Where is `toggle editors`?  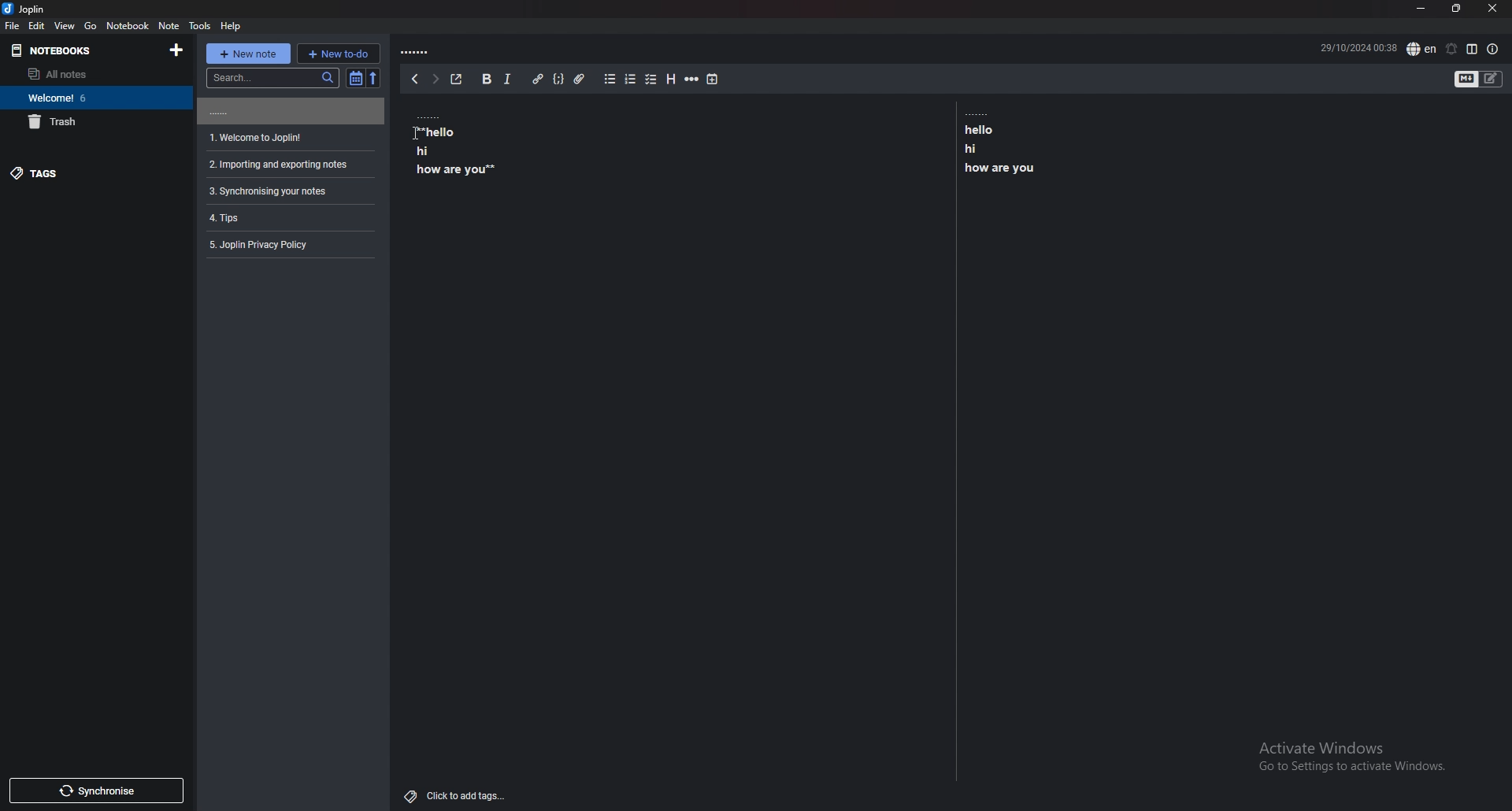 toggle editors is located at coordinates (1491, 79).